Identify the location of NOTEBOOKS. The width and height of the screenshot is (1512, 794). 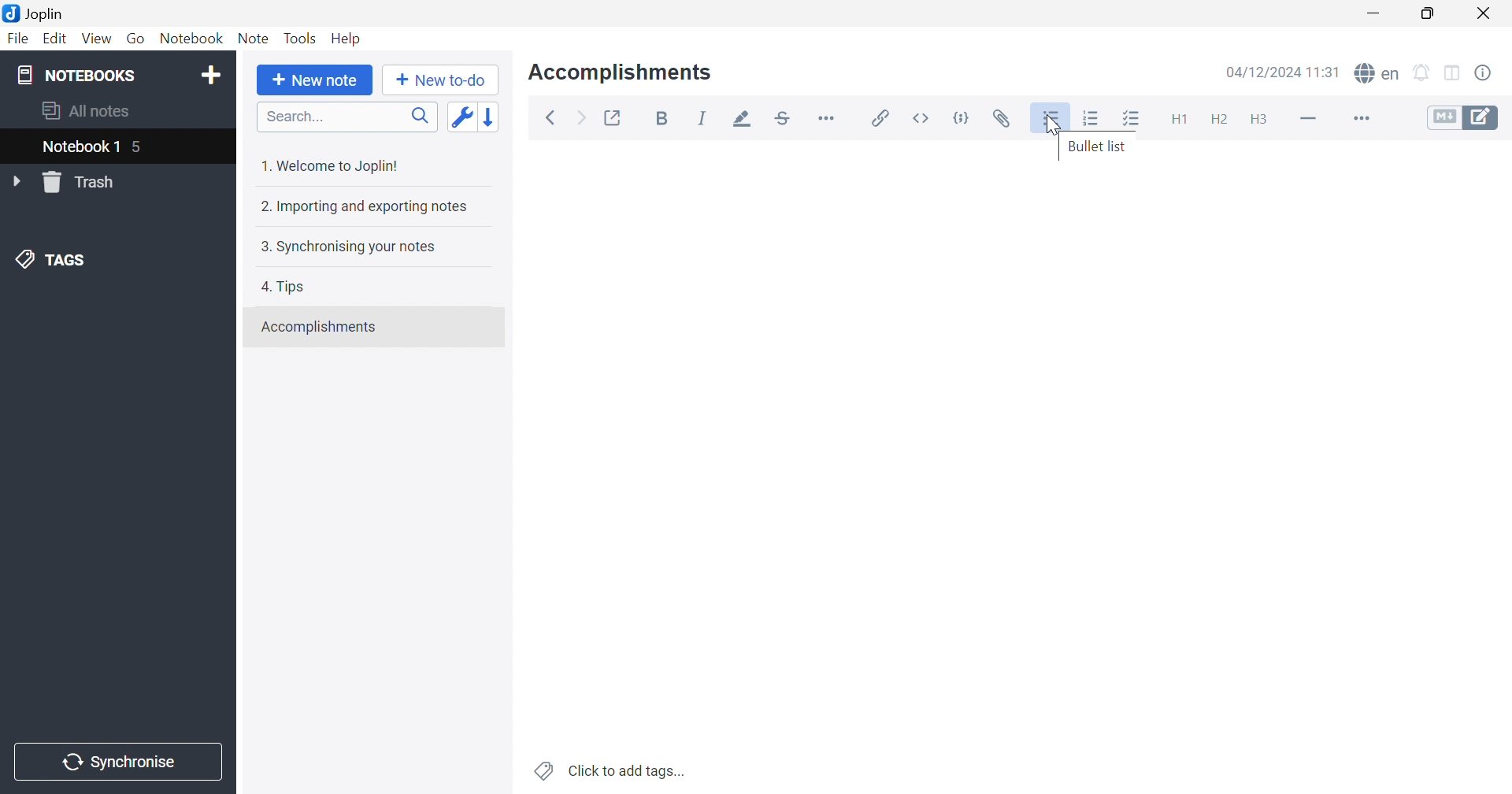
(73, 73).